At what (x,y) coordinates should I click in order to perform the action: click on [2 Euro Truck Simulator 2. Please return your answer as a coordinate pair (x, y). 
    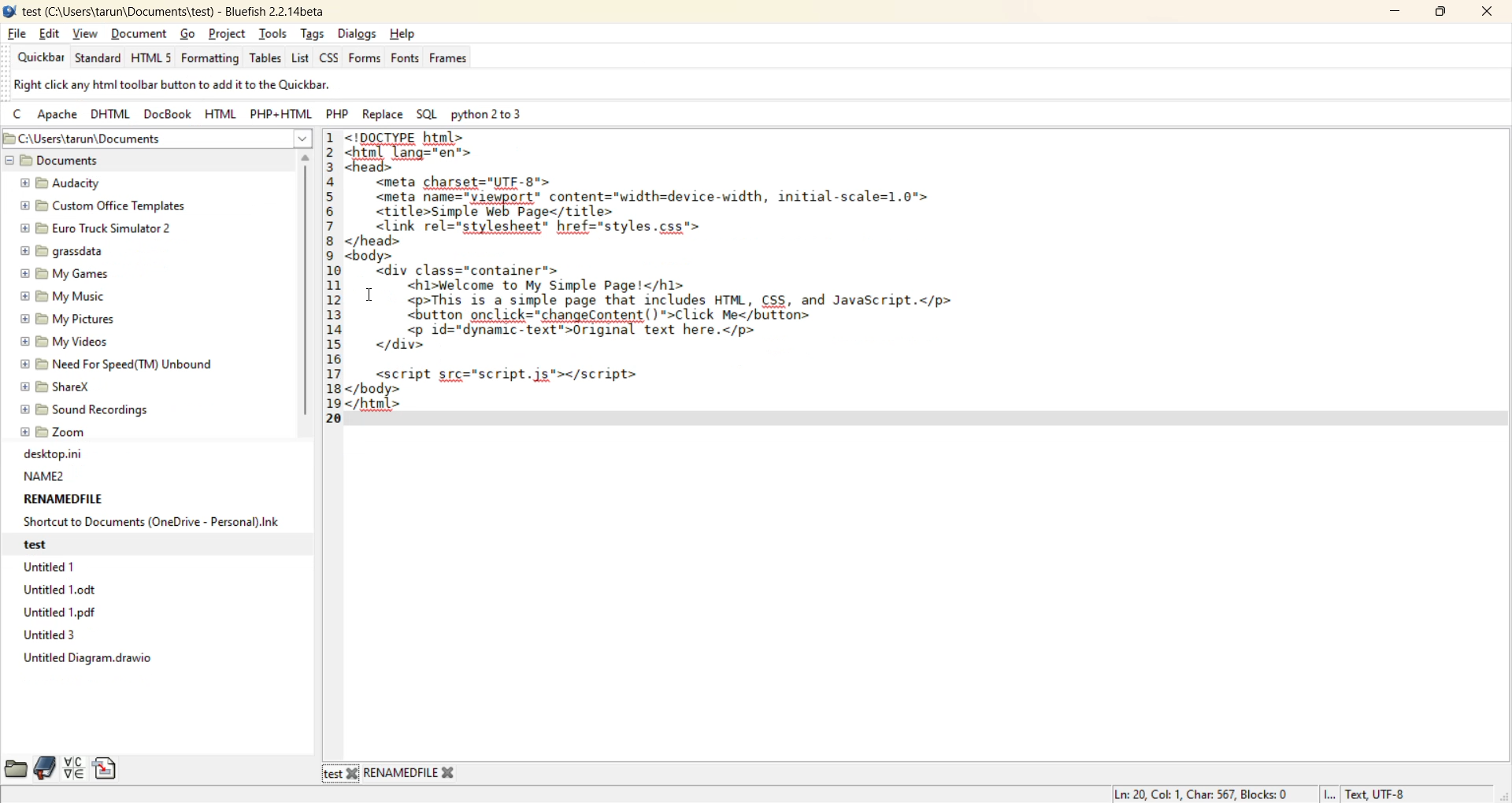
    Looking at the image, I should click on (101, 227).